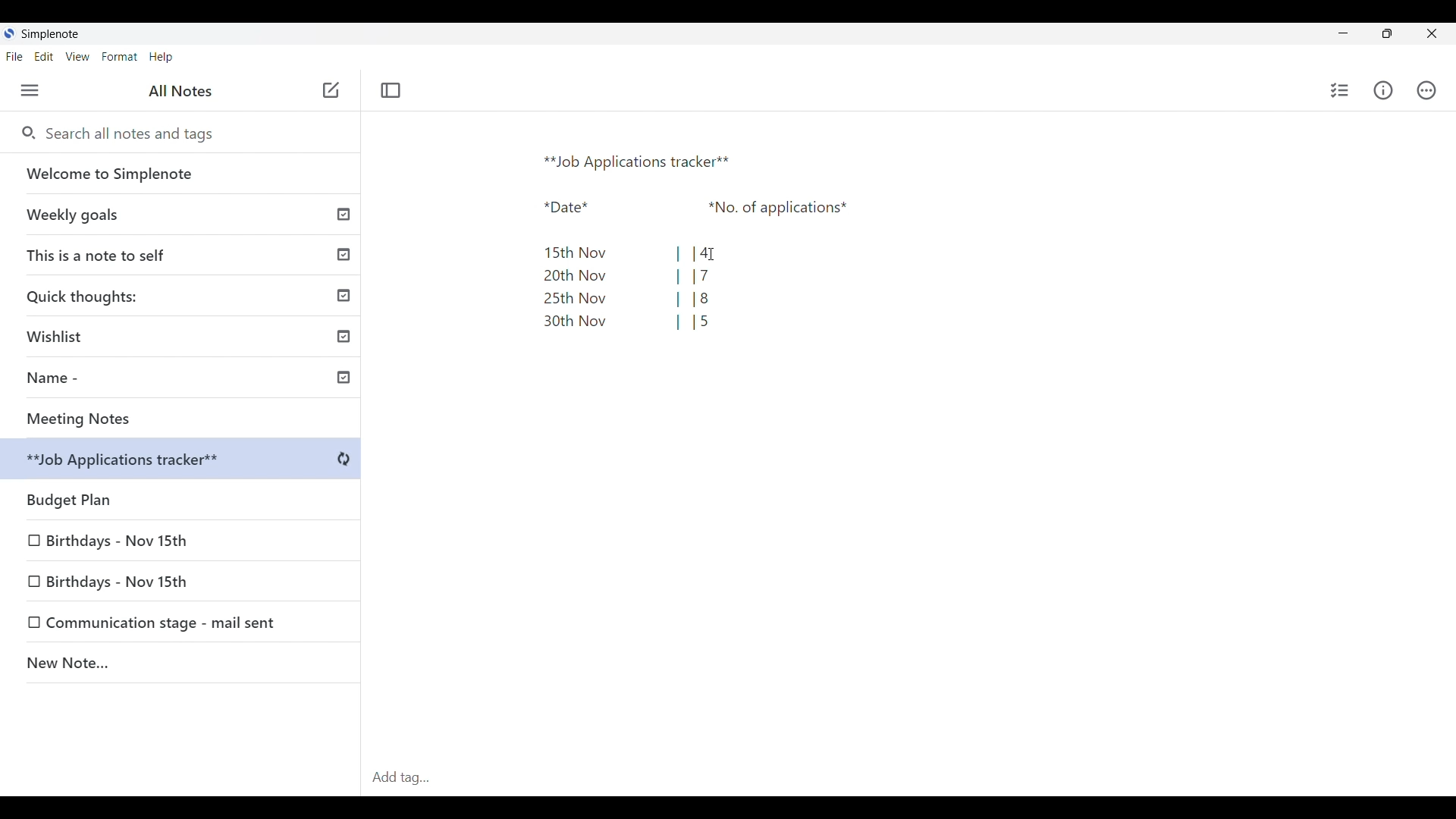 The height and width of the screenshot is (819, 1456). What do you see at coordinates (50, 34) in the screenshot?
I see `Software name` at bounding box center [50, 34].